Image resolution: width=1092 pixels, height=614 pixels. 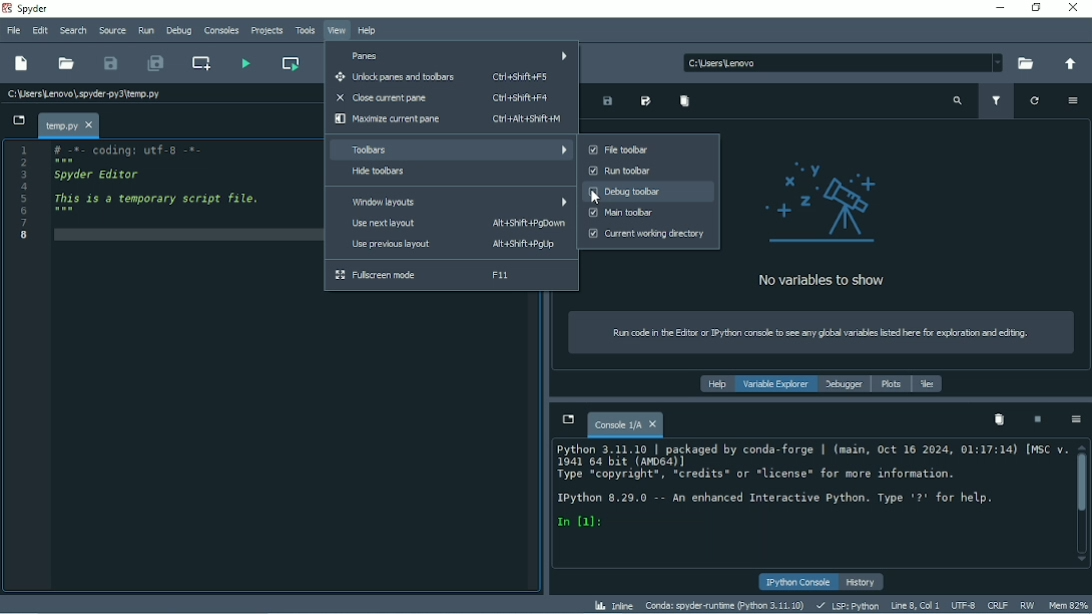 What do you see at coordinates (1074, 8) in the screenshot?
I see `Close` at bounding box center [1074, 8].